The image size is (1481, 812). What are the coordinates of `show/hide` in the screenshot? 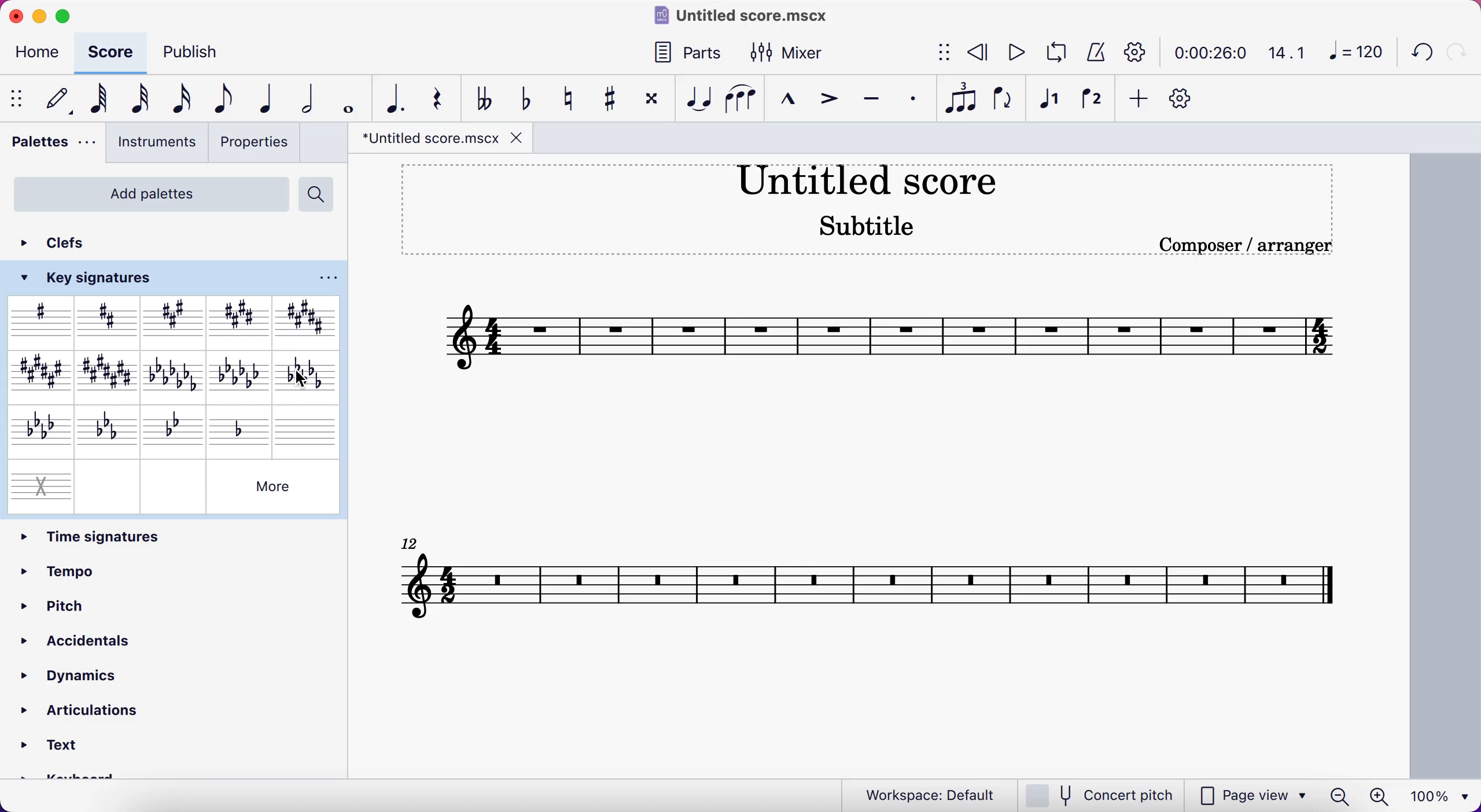 It's located at (943, 50).